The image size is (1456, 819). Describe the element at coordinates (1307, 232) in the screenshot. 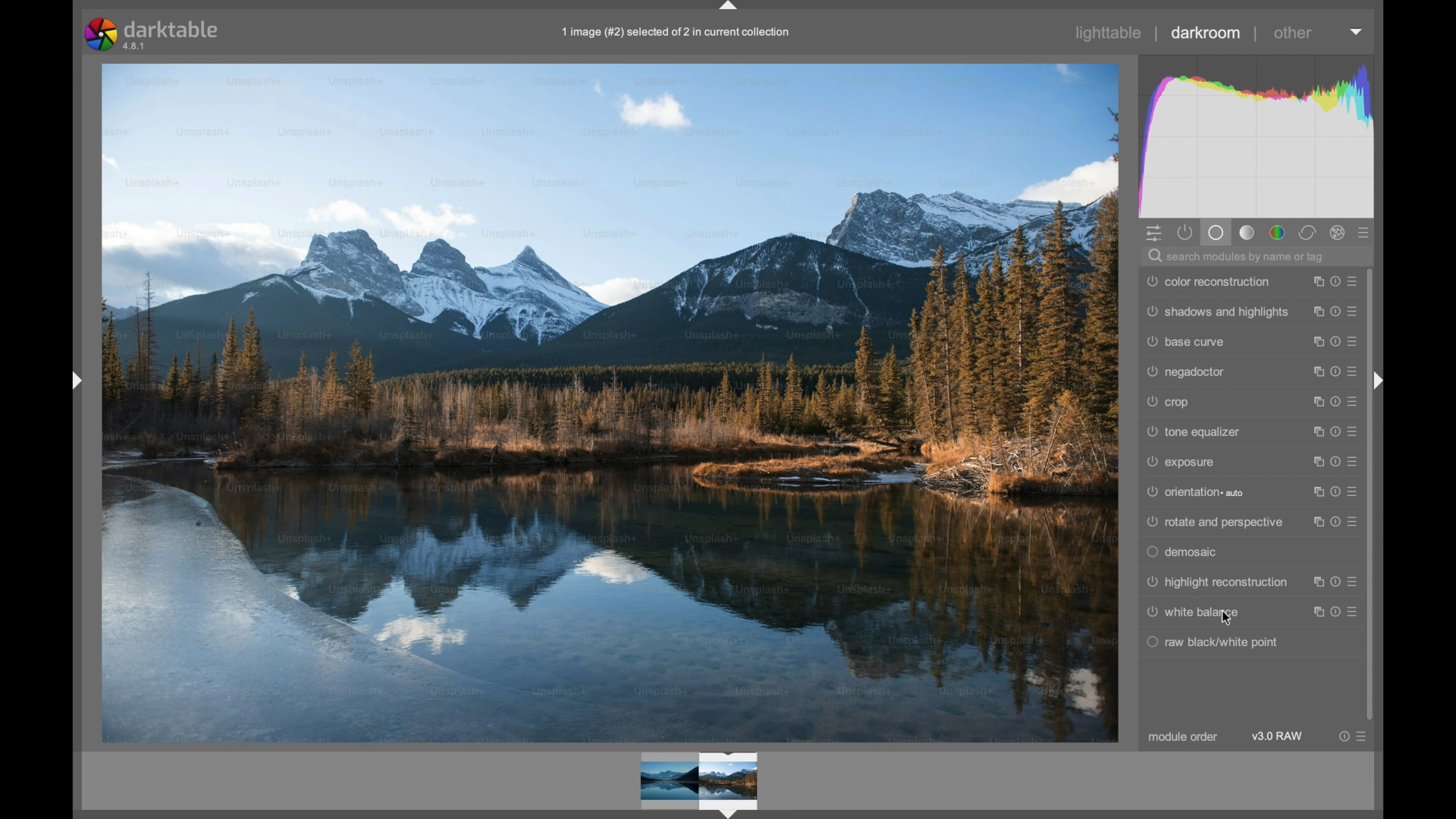

I see `corrector` at that location.